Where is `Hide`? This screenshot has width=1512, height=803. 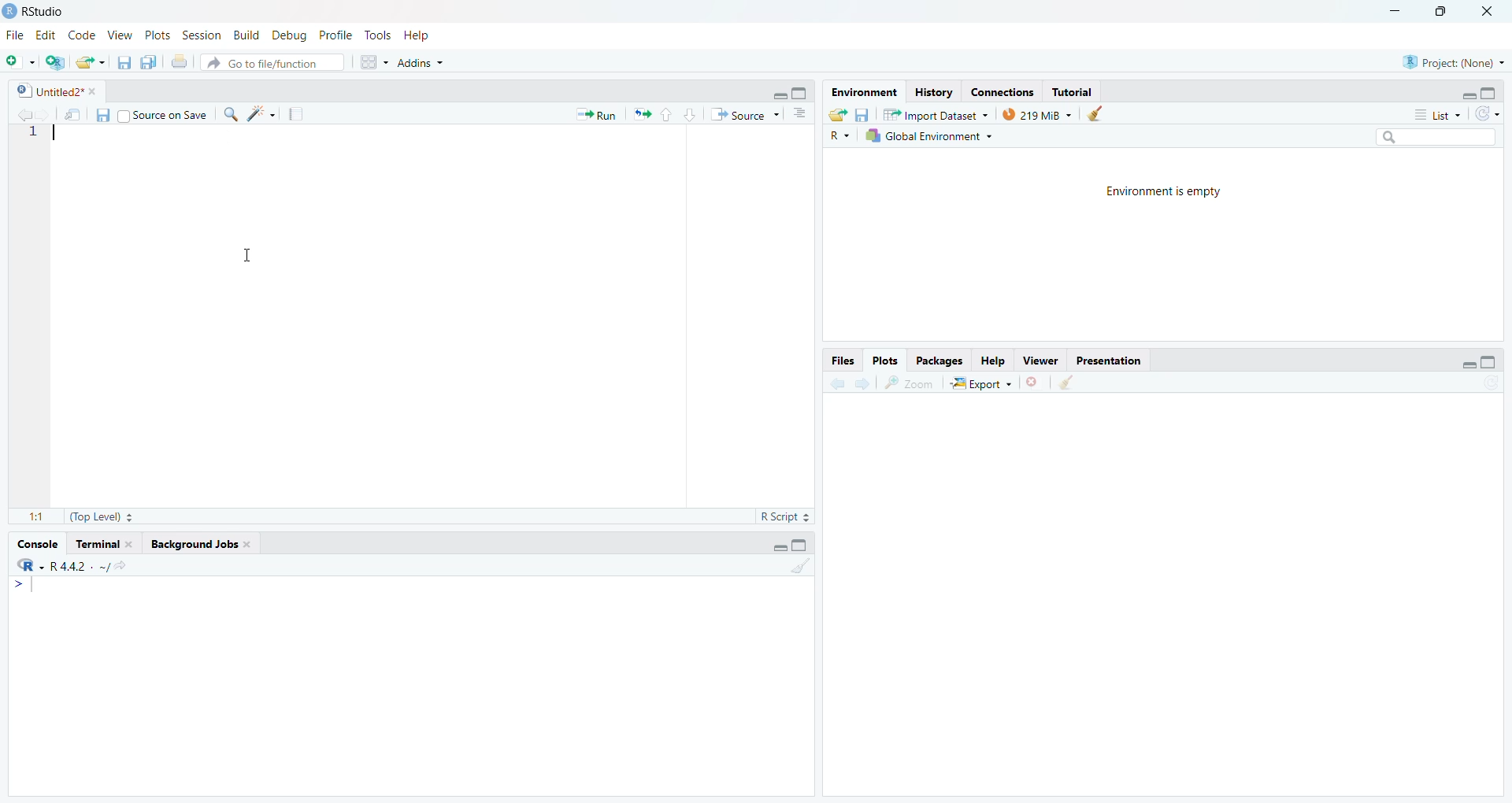 Hide is located at coordinates (778, 93).